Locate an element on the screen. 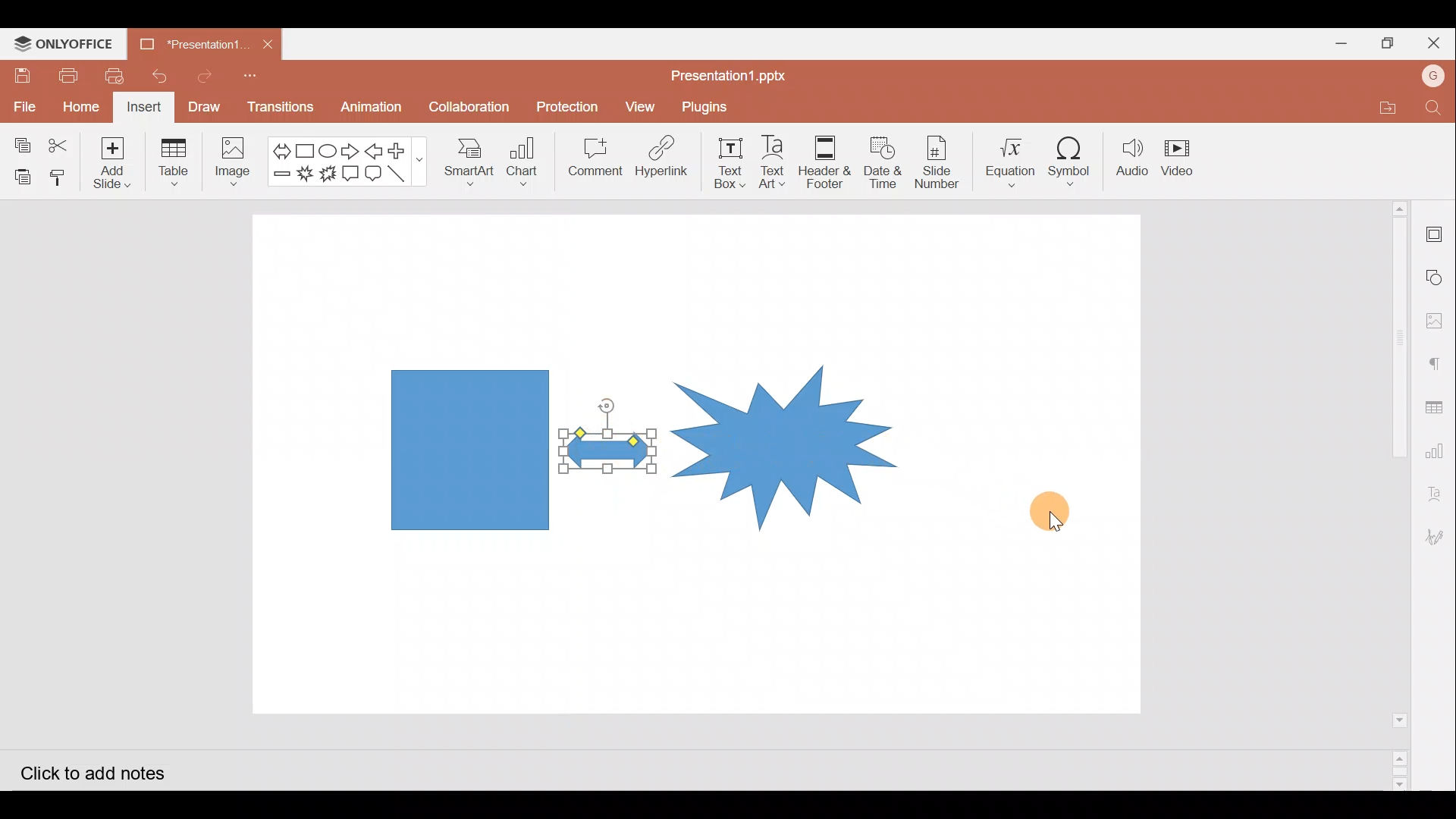  Chart is located at coordinates (526, 166).